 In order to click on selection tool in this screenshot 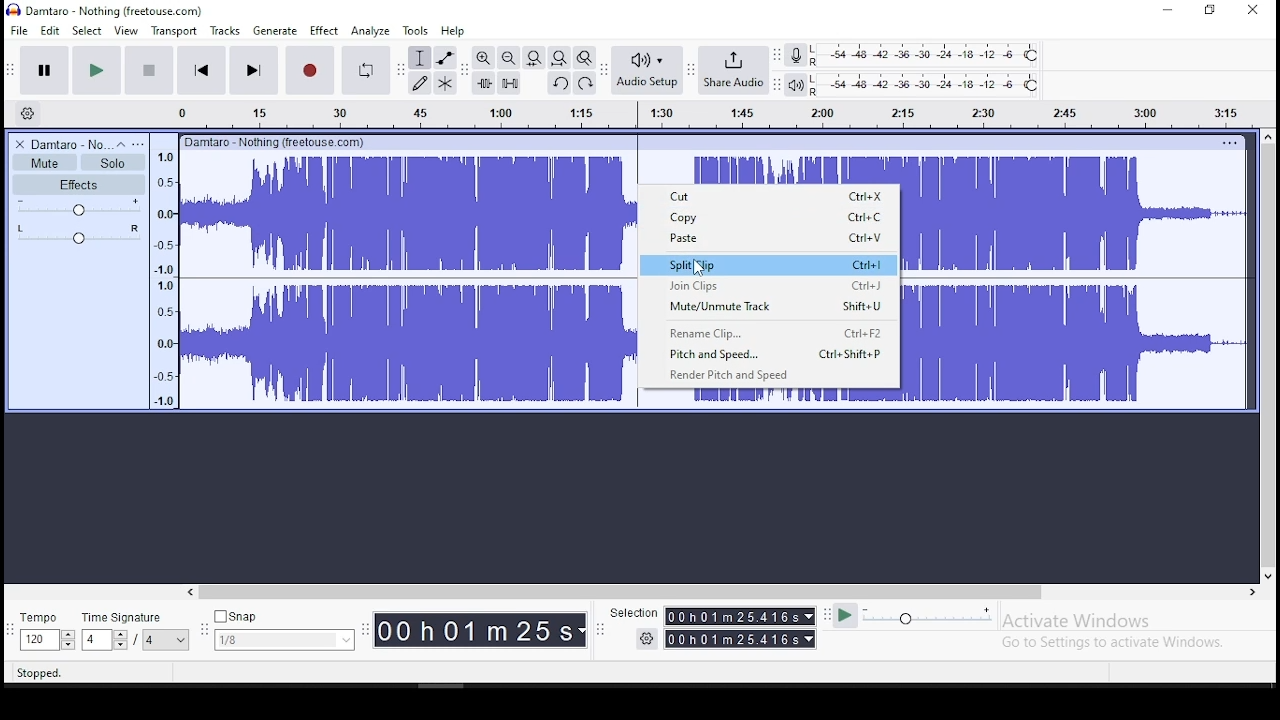, I will do `click(418, 57)`.